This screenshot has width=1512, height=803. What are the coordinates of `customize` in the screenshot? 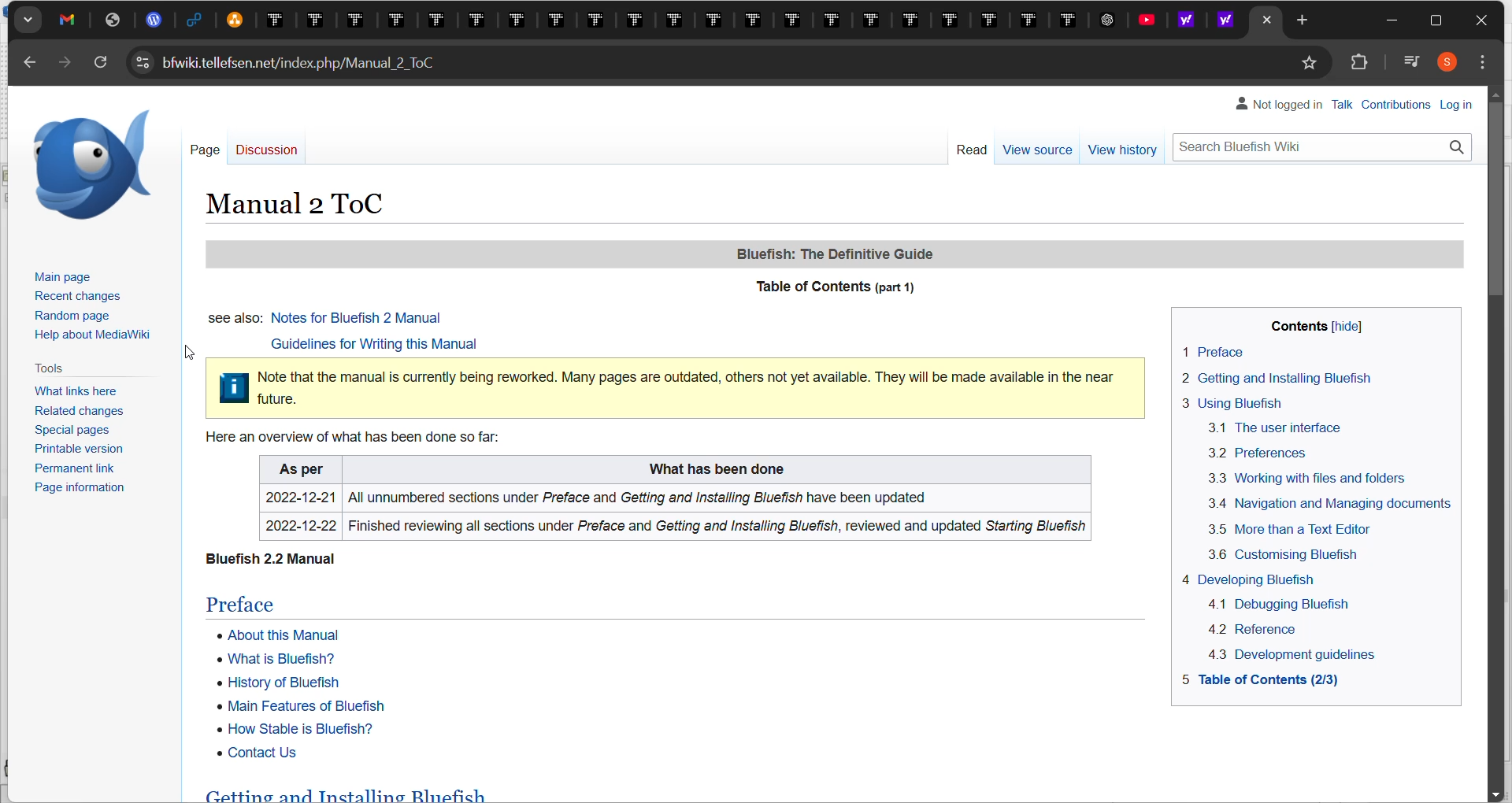 It's located at (1487, 64).